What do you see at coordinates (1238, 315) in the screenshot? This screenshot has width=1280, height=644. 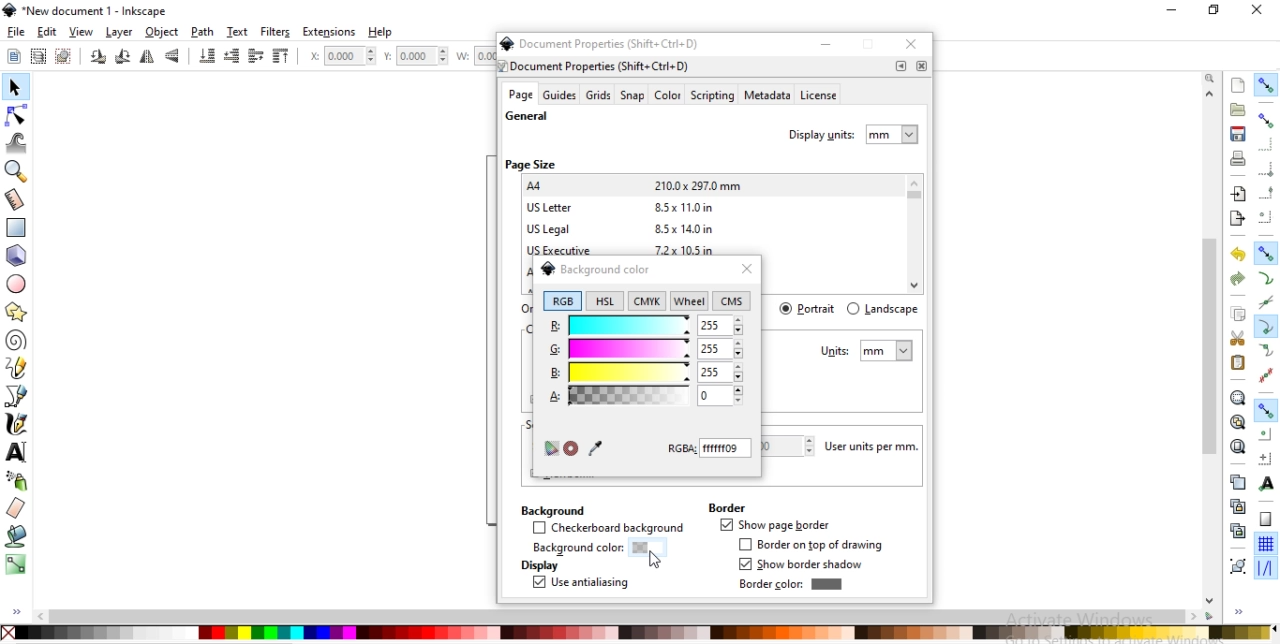 I see `copy` at bounding box center [1238, 315].